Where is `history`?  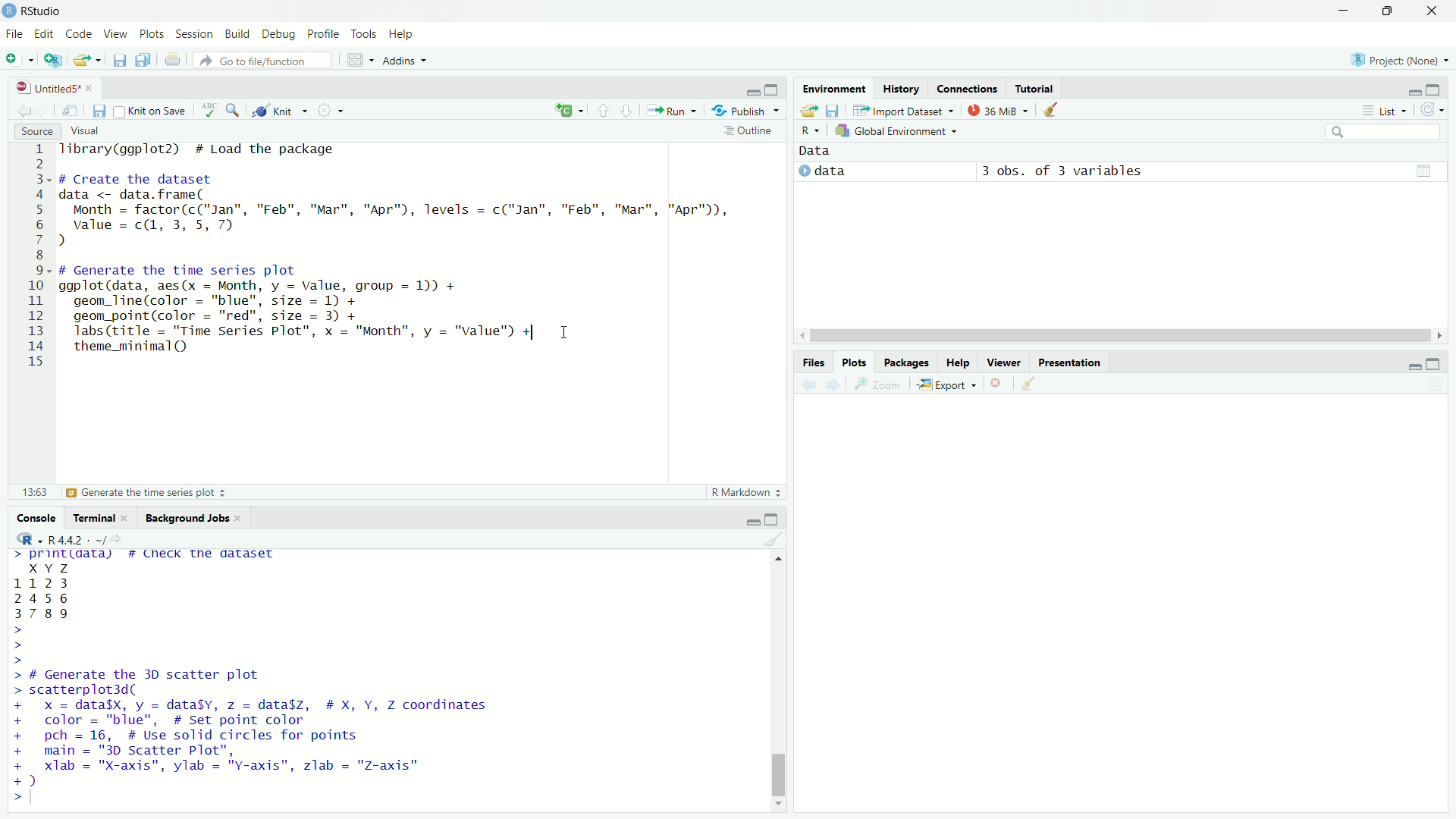
history is located at coordinates (900, 86).